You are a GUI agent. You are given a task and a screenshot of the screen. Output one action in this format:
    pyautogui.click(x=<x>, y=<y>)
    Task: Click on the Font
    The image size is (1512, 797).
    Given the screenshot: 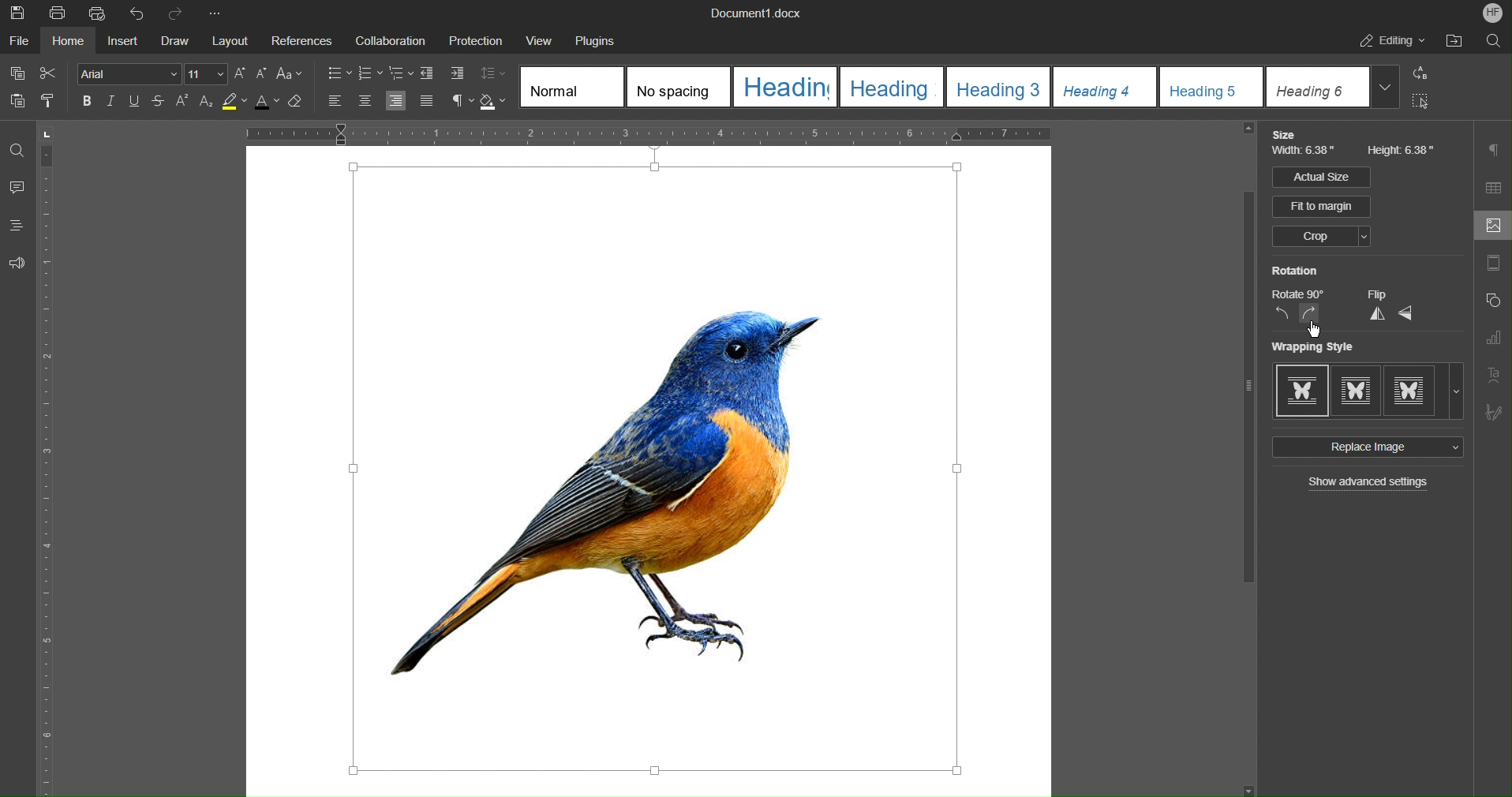 What is the action you would take?
    pyautogui.click(x=129, y=73)
    